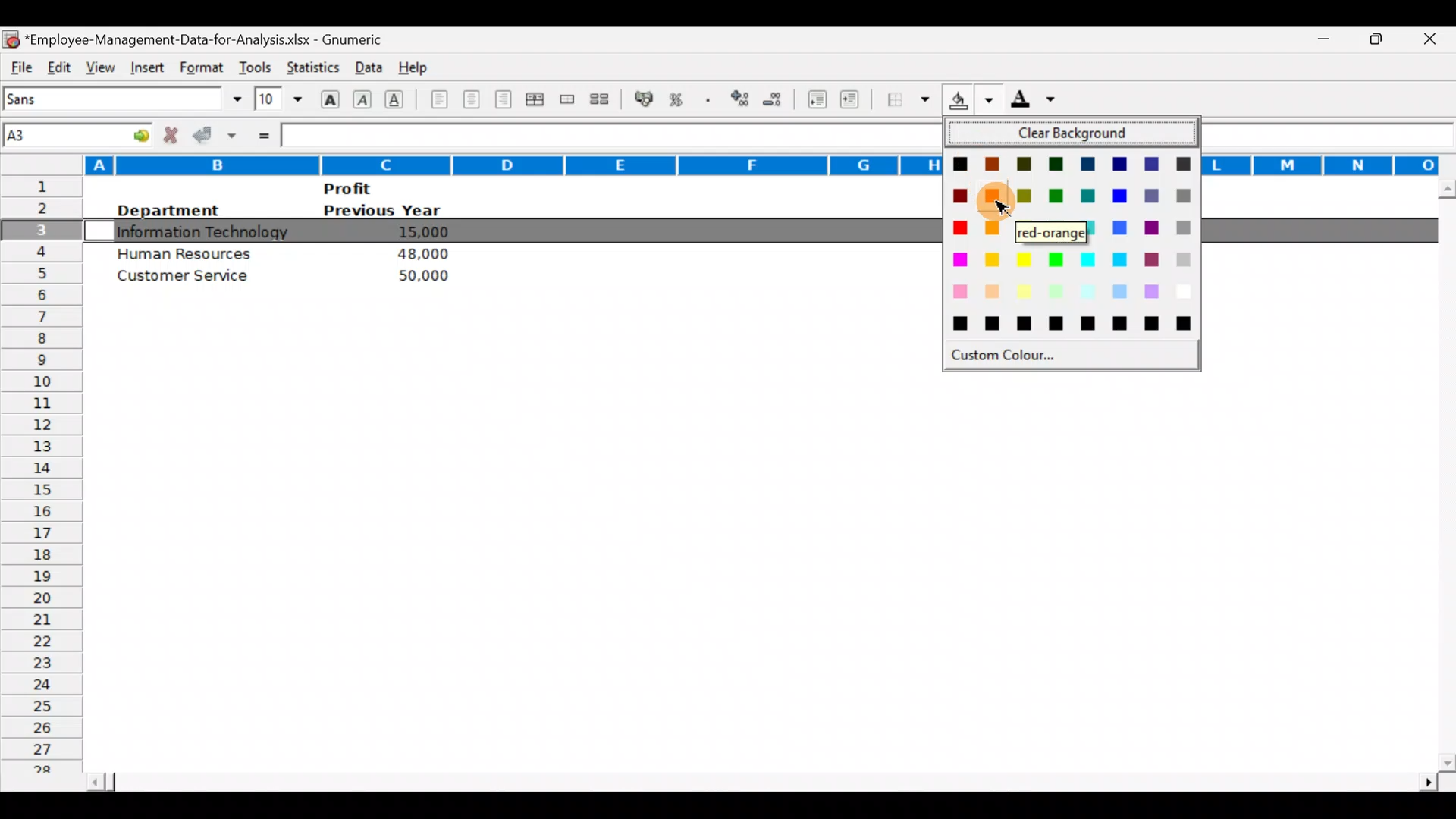 This screenshot has width=1456, height=819. Describe the element at coordinates (399, 99) in the screenshot. I see `Underline` at that location.